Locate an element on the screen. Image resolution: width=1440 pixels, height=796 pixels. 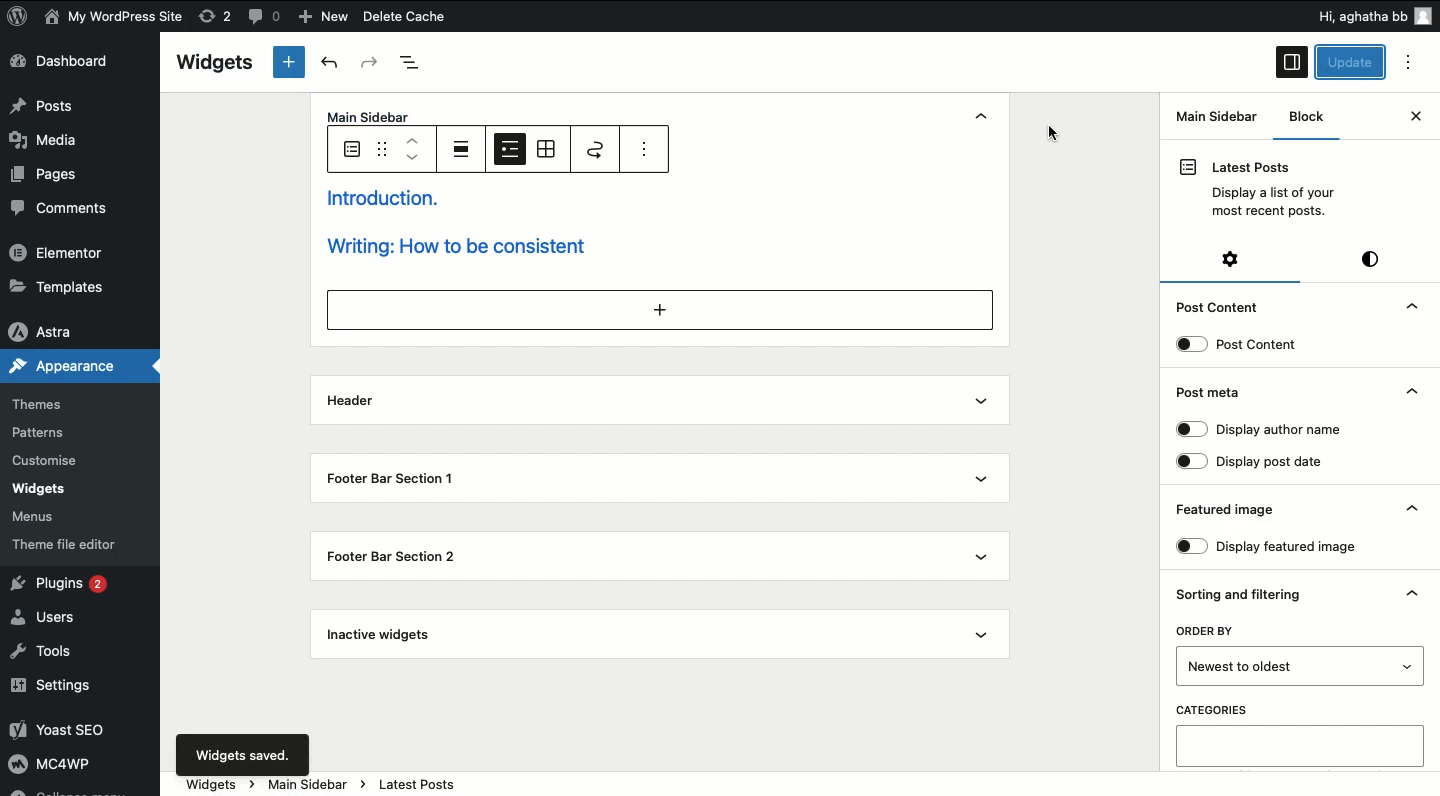
Post Content is located at coordinates (1220, 306).